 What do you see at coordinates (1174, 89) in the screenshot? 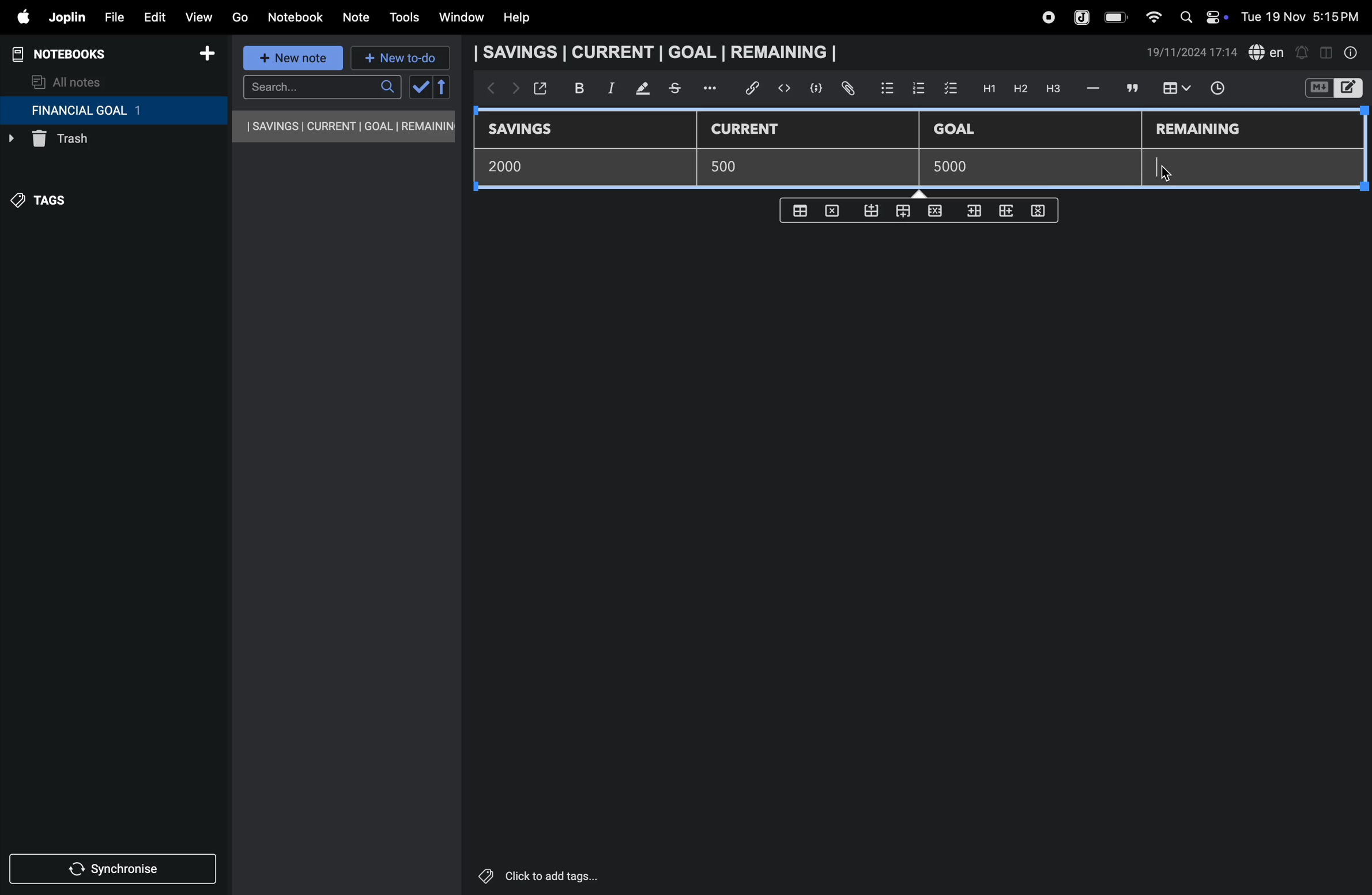
I see `insert table` at bounding box center [1174, 89].